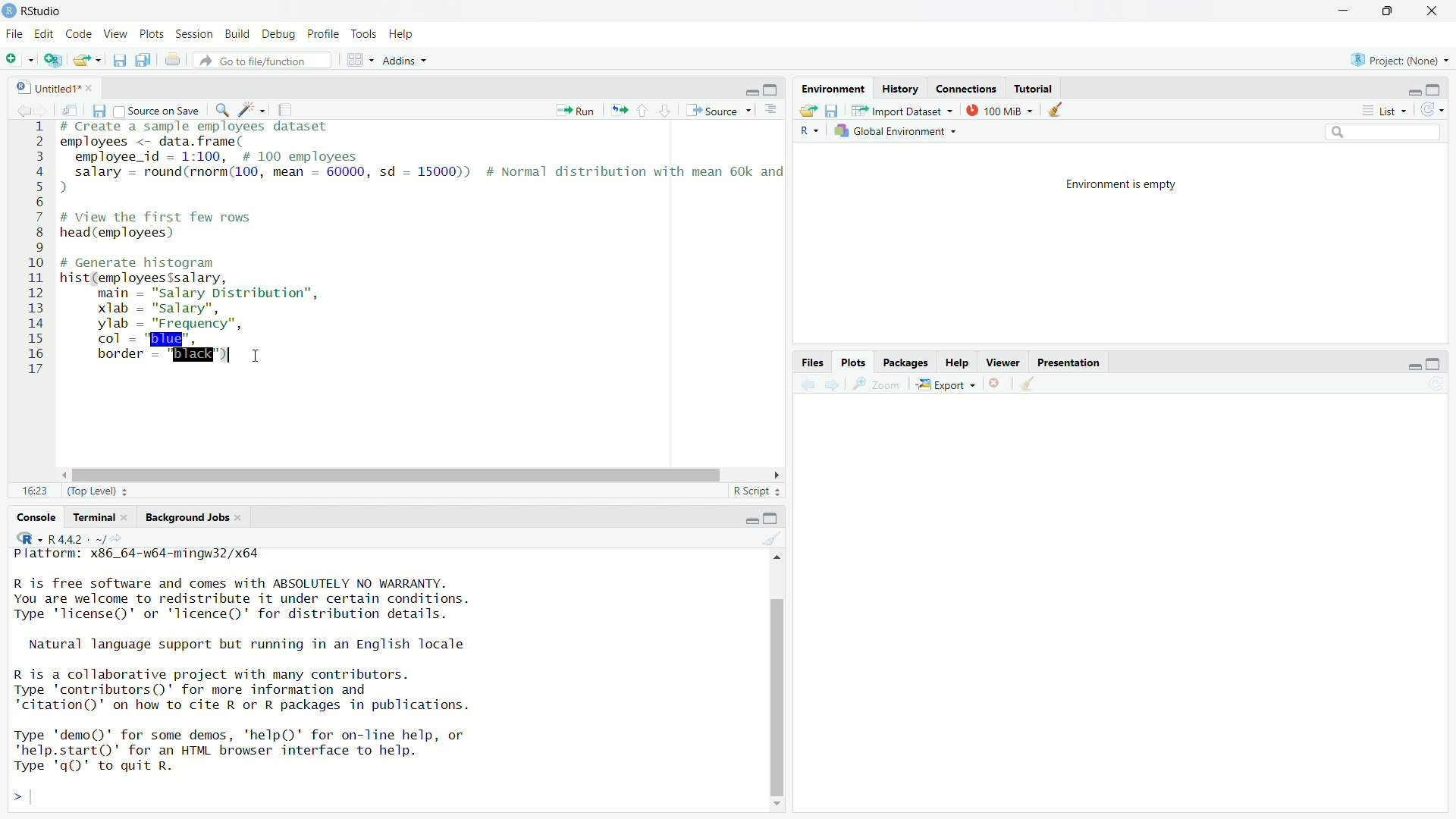  I want to click on Maximise , so click(770, 89).